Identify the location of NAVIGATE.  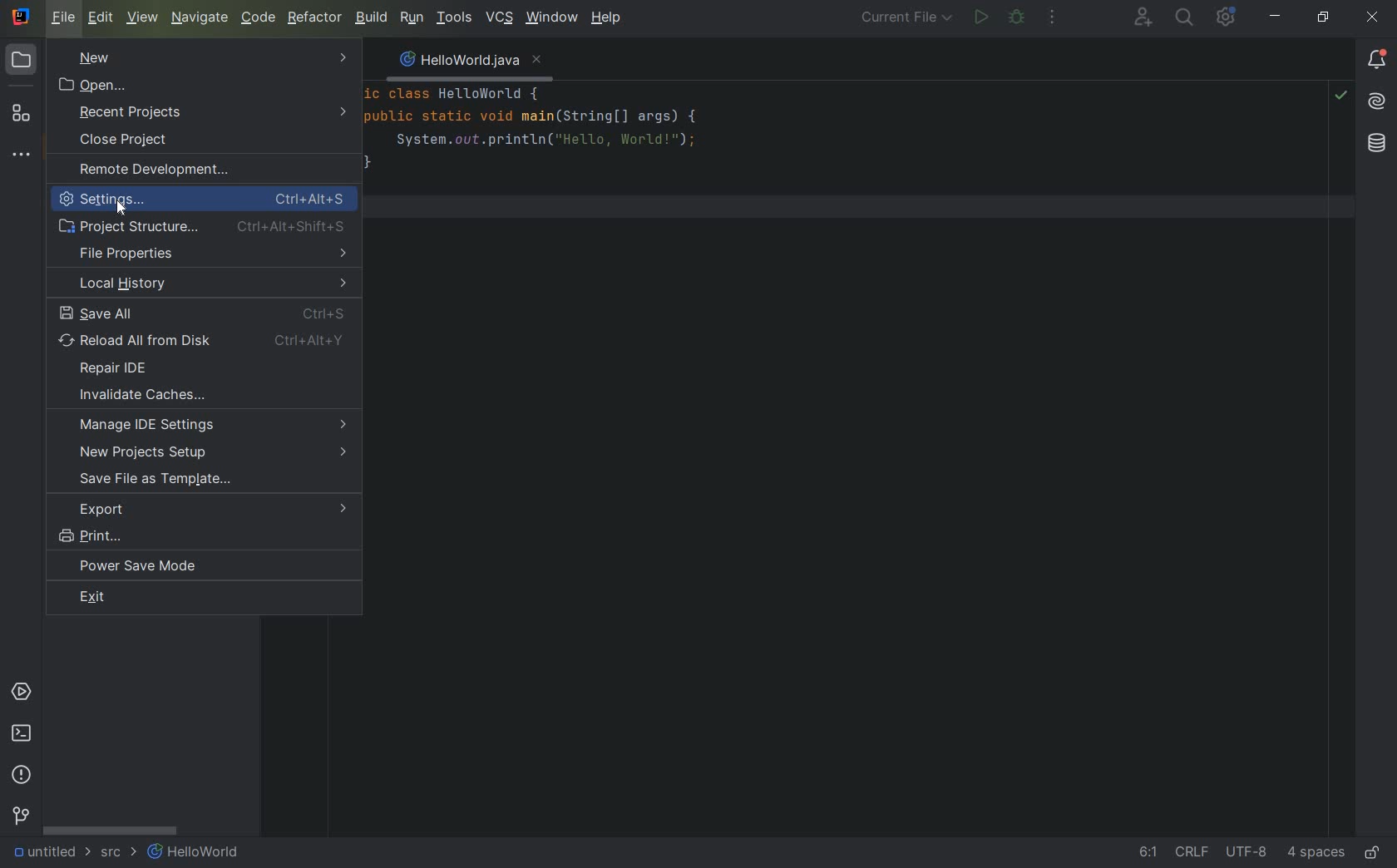
(200, 17).